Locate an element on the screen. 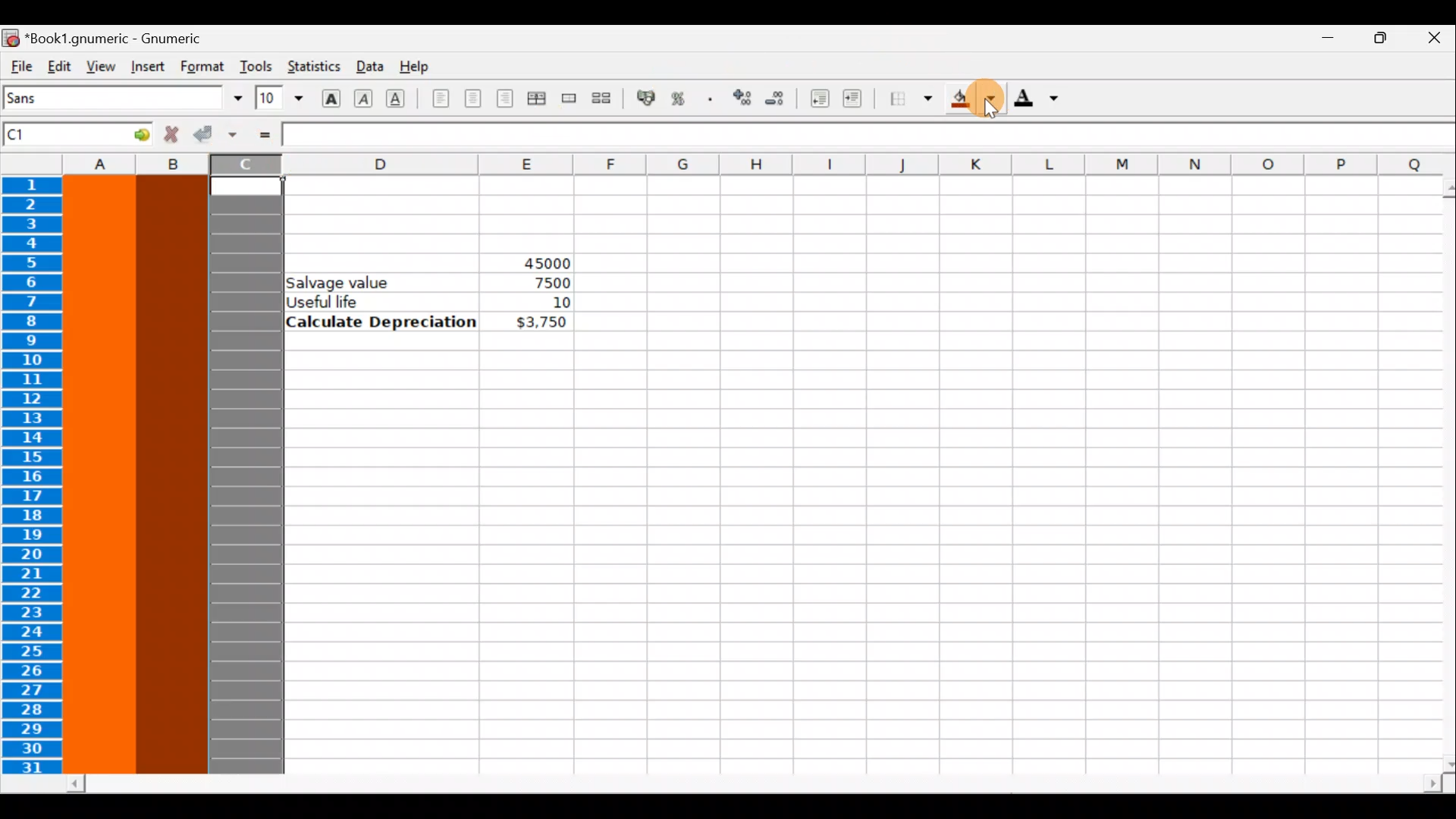 This screenshot has height=819, width=1456. Gnumeric logo is located at coordinates (11, 37).